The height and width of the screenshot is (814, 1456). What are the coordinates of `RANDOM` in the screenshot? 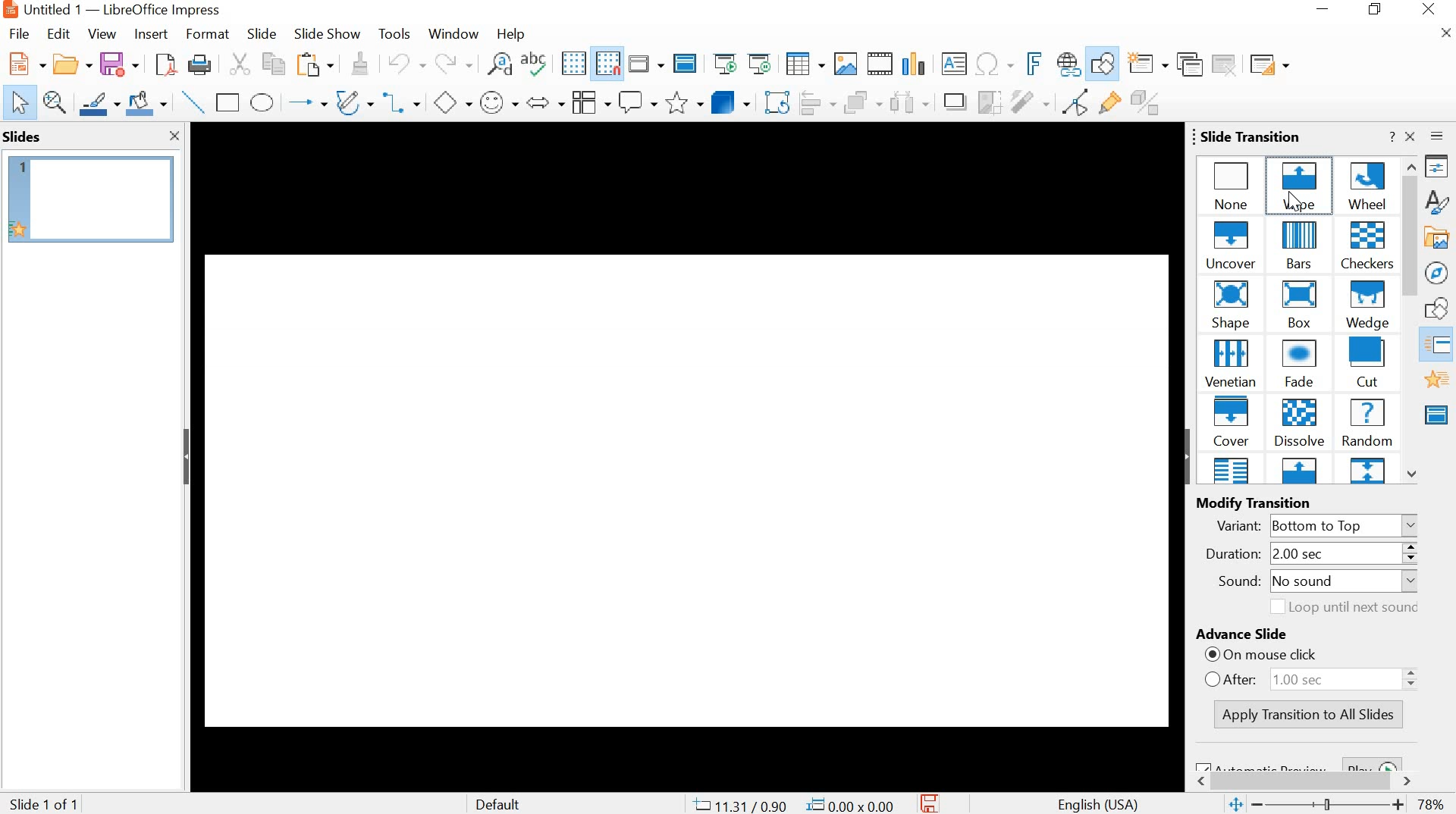 It's located at (1367, 423).